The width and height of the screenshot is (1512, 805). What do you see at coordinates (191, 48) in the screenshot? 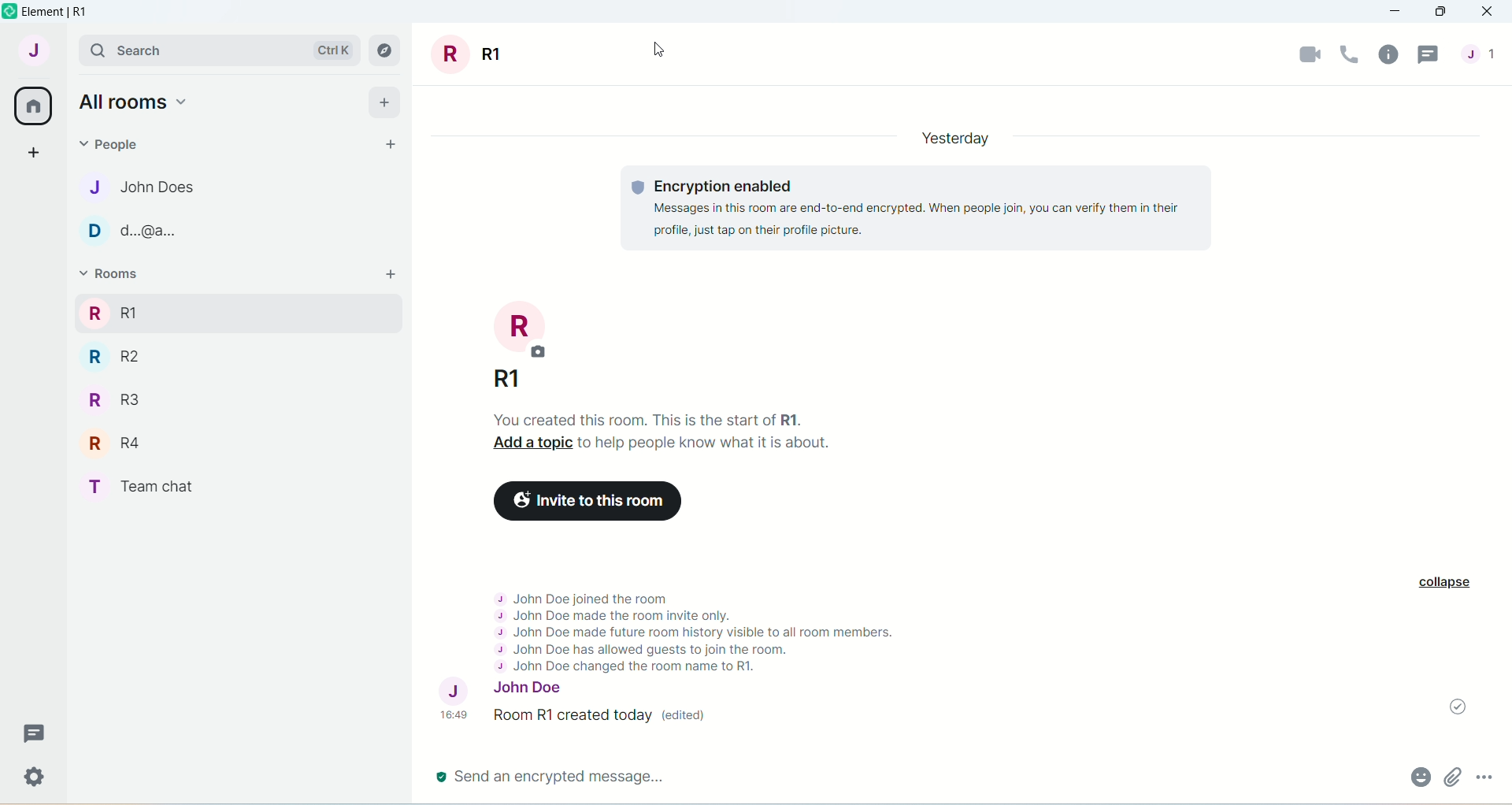
I see `search bar` at bounding box center [191, 48].